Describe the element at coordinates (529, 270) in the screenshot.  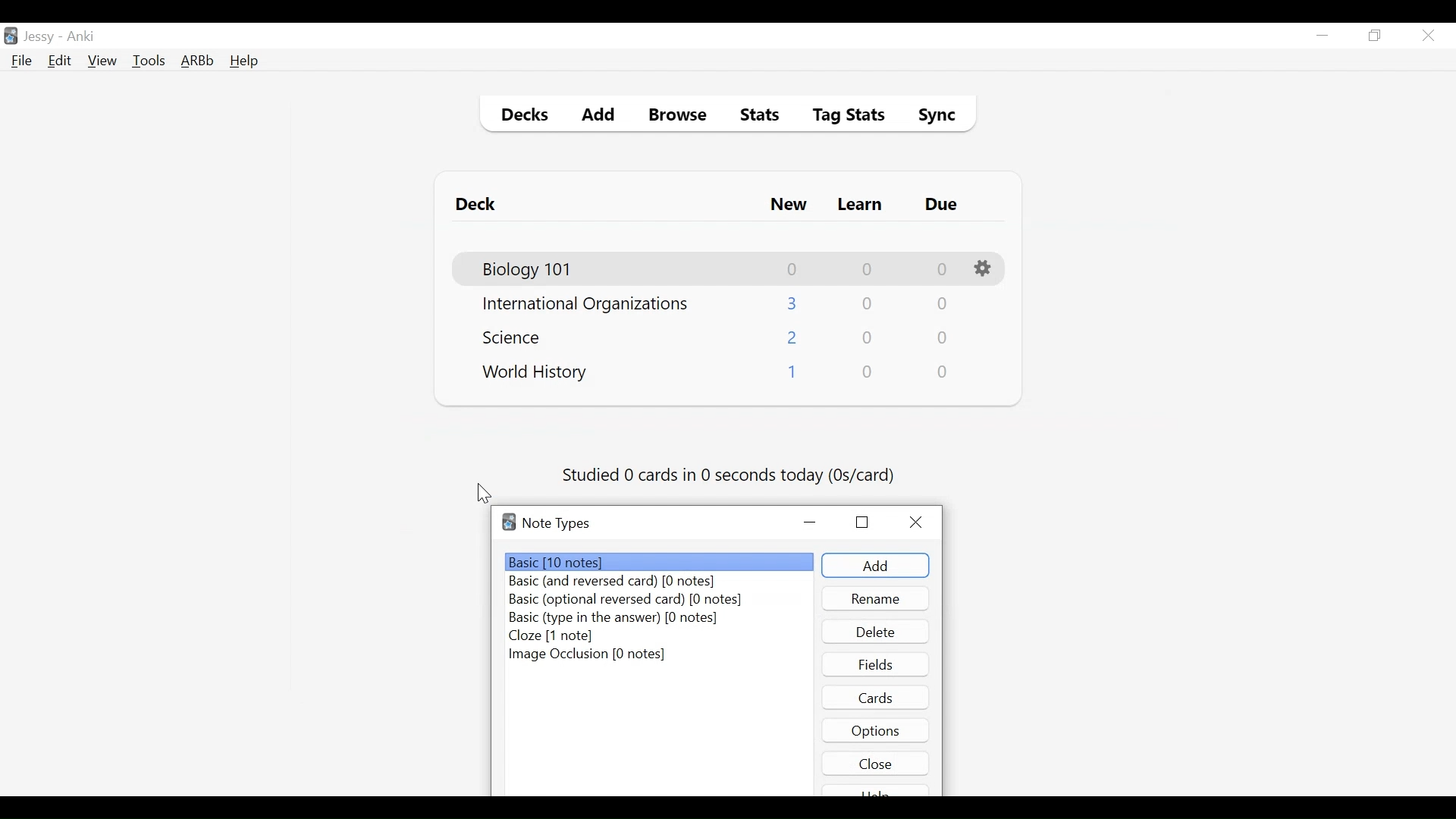
I see `Deck Name` at that location.